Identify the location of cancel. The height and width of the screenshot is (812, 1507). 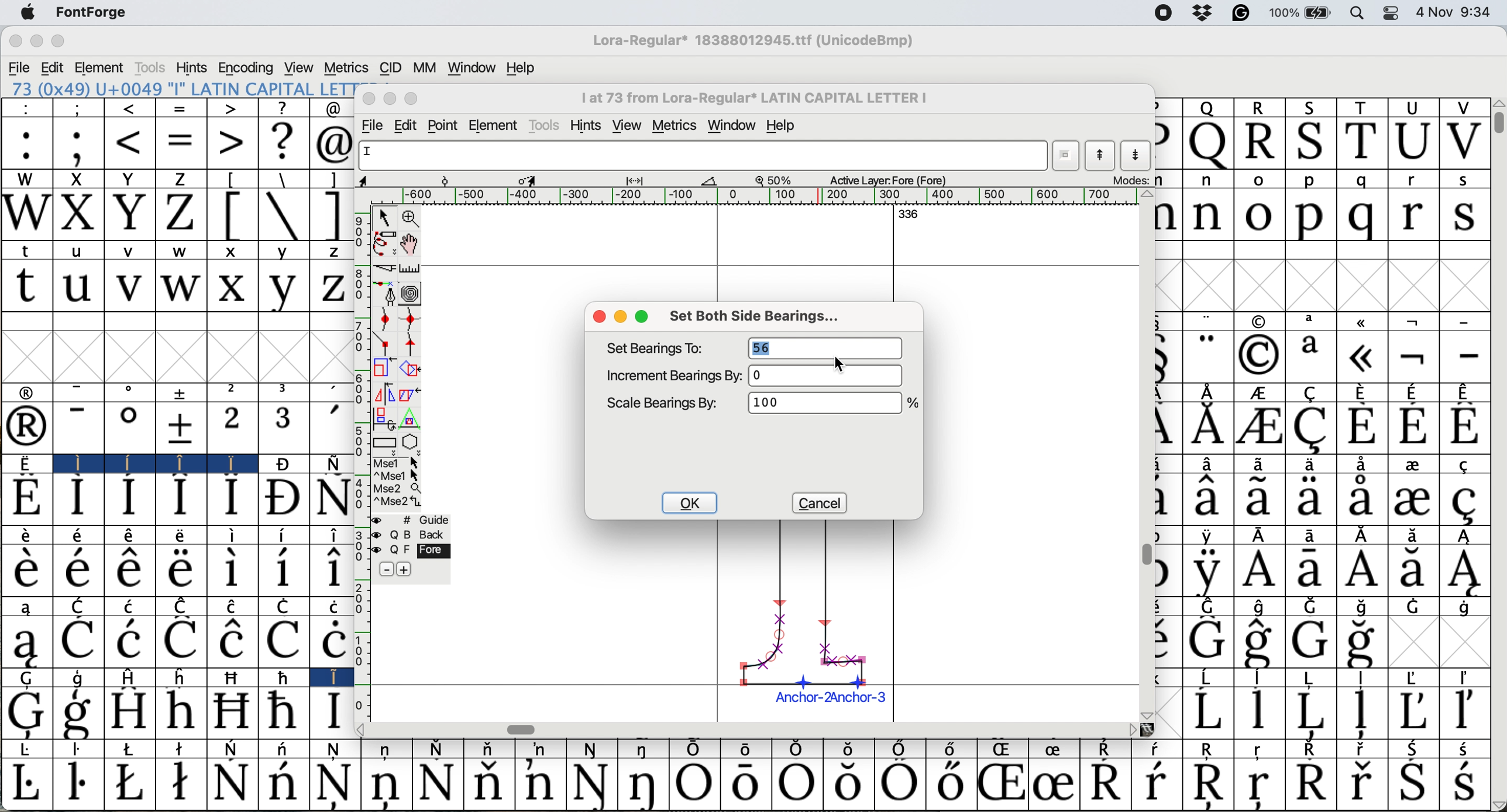
(817, 502).